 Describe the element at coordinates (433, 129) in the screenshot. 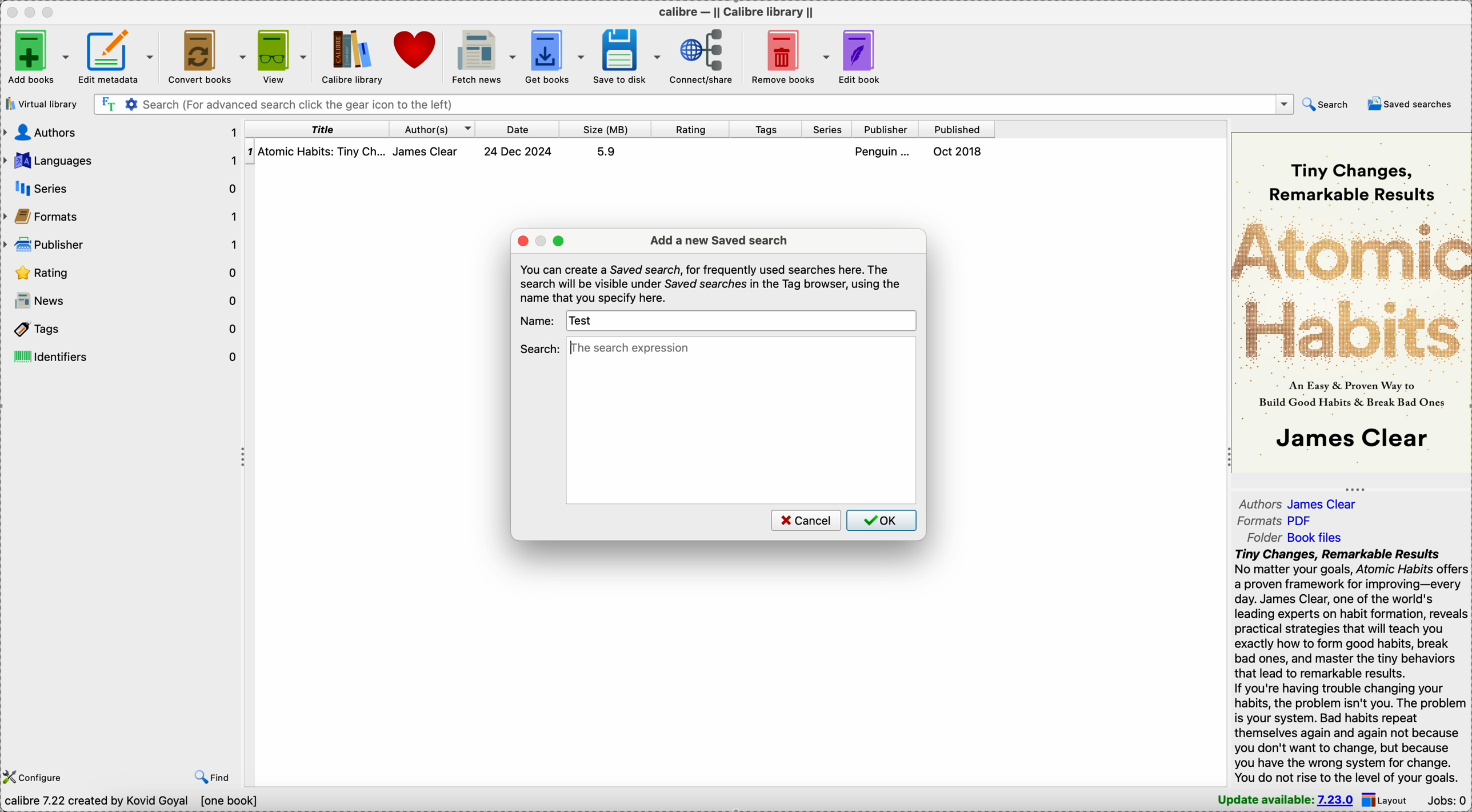

I see `authors` at that location.